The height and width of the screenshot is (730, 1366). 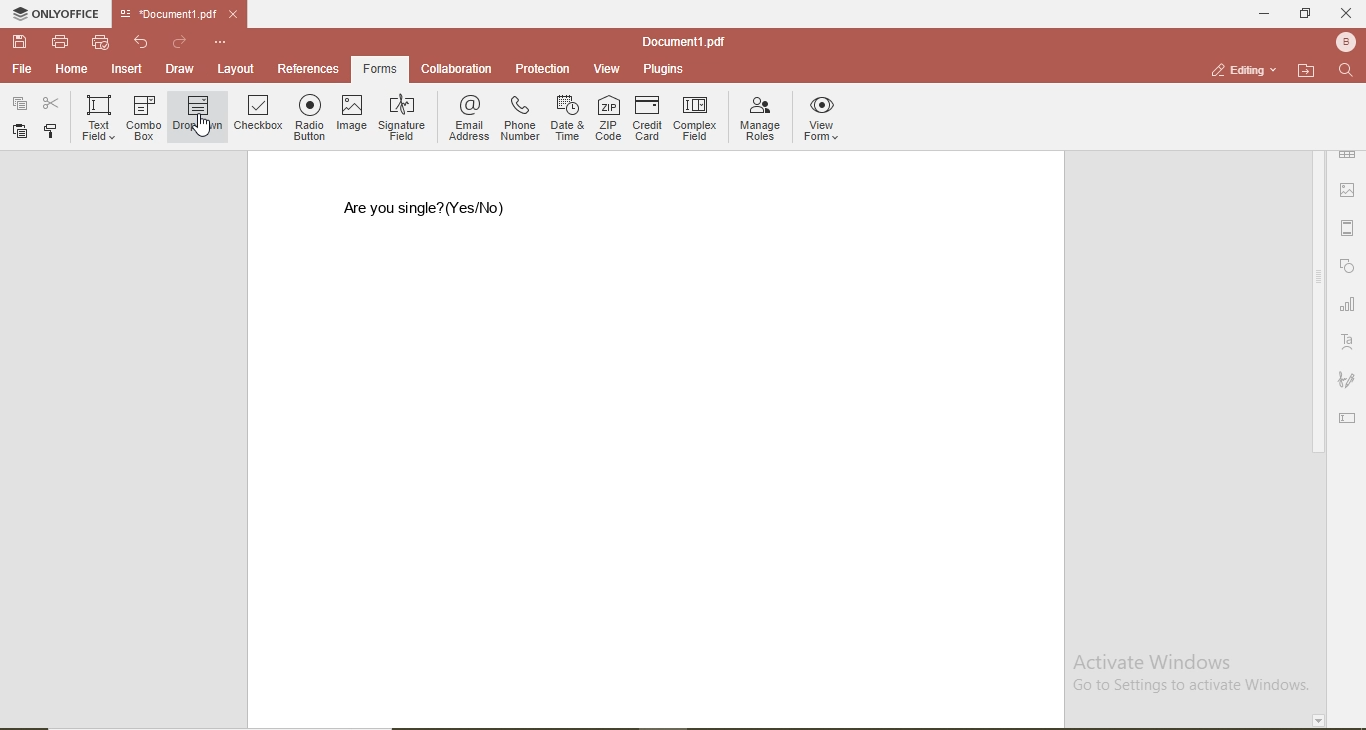 What do you see at coordinates (99, 119) in the screenshot?
I see `text field` at bounding box center [99, 119].